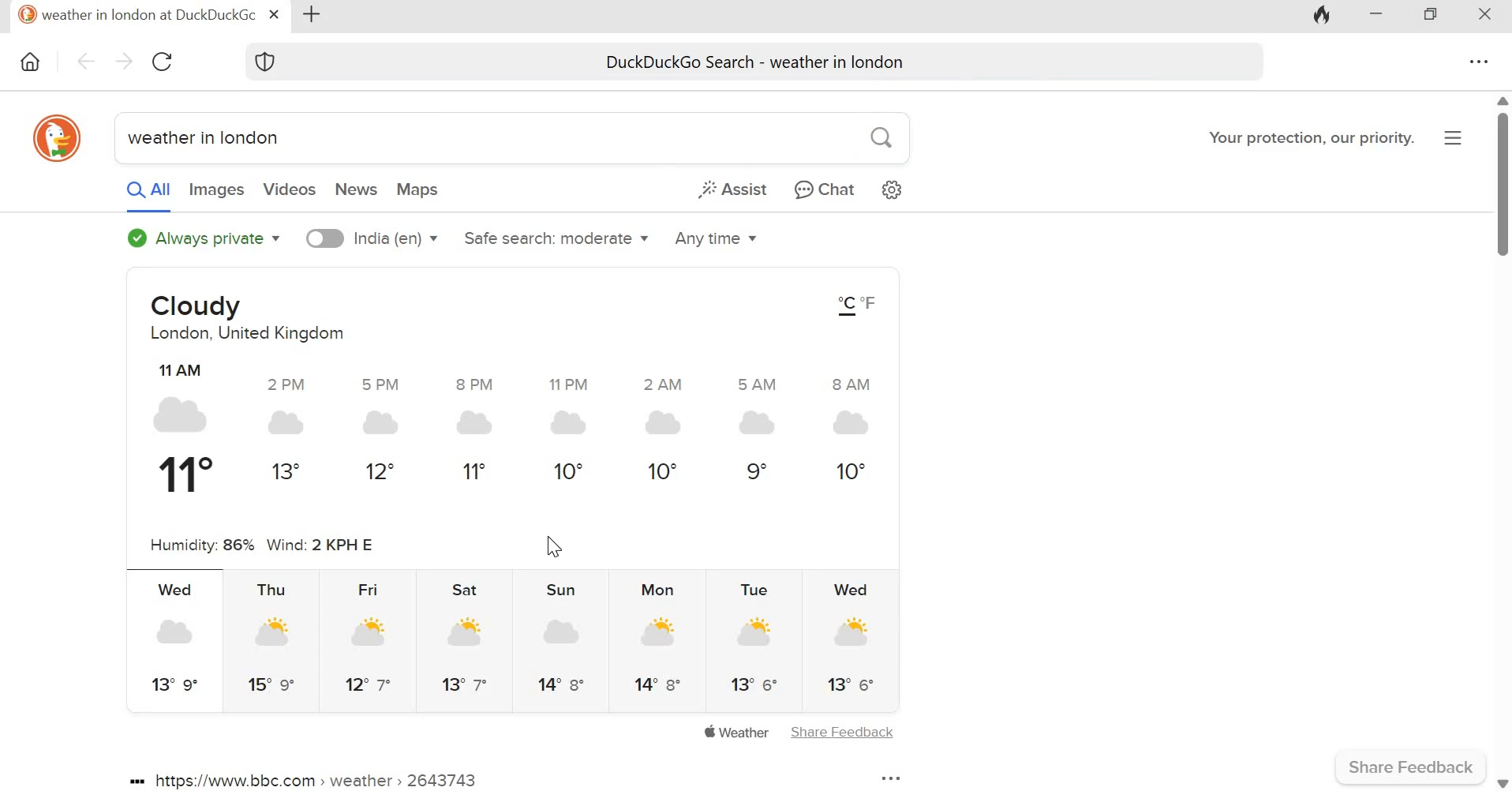 The height and width of the screenshot is (791, 1512). What do you see at coordinates (138, 17) in the screenshot?
I see `weather in london at DuckDuckGo` at bounding box center [138, 17].